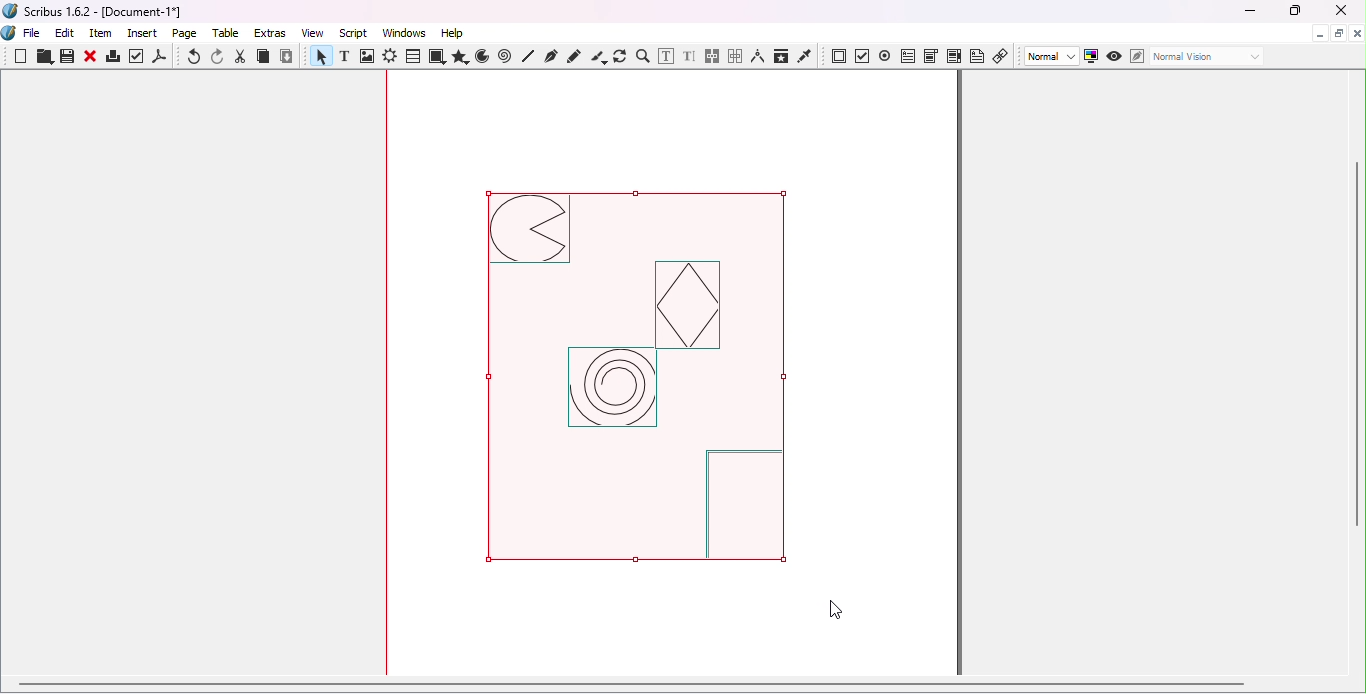 The height and width of the screenshot is (694, 1366). Describe the element at coordinates (458, 57) in the screenshot. I see `Polygon` at that location.